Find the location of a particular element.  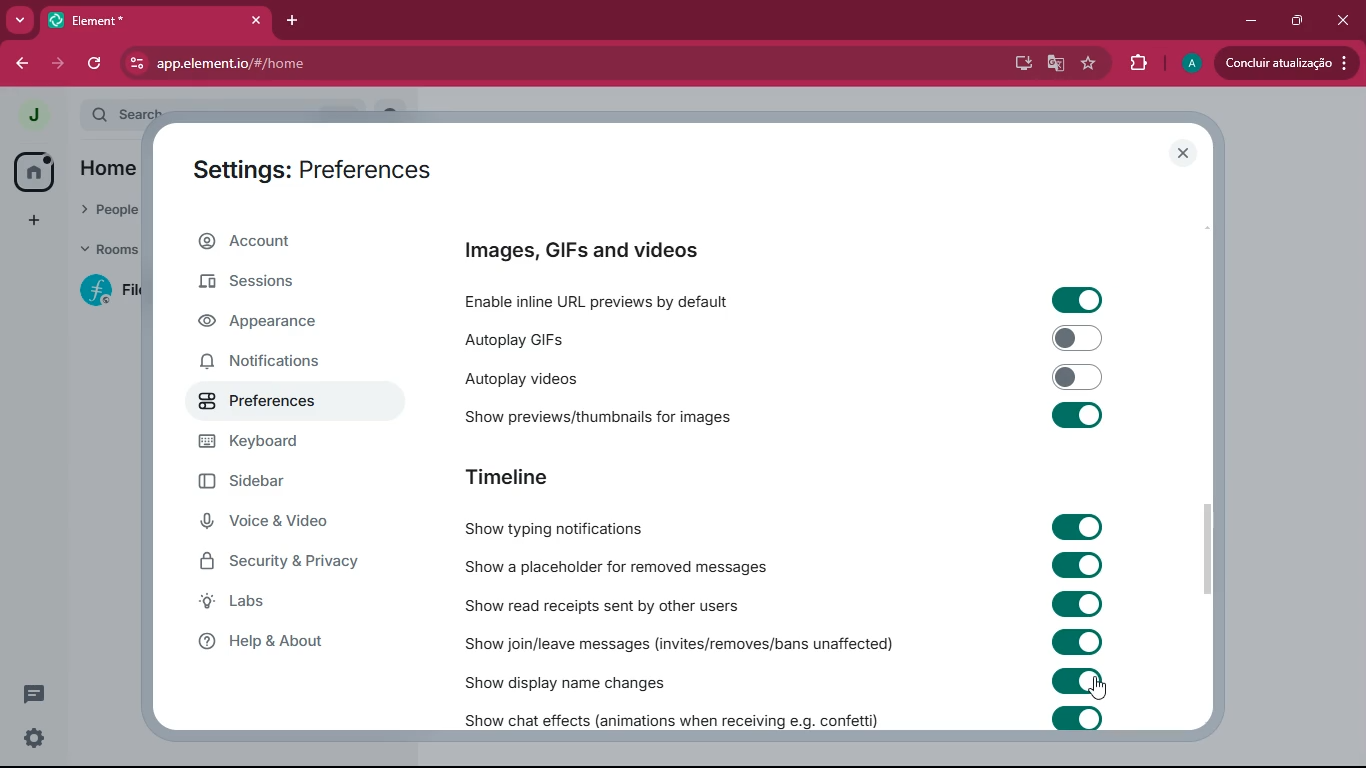

desktop is located at coordinates (1019, 63).